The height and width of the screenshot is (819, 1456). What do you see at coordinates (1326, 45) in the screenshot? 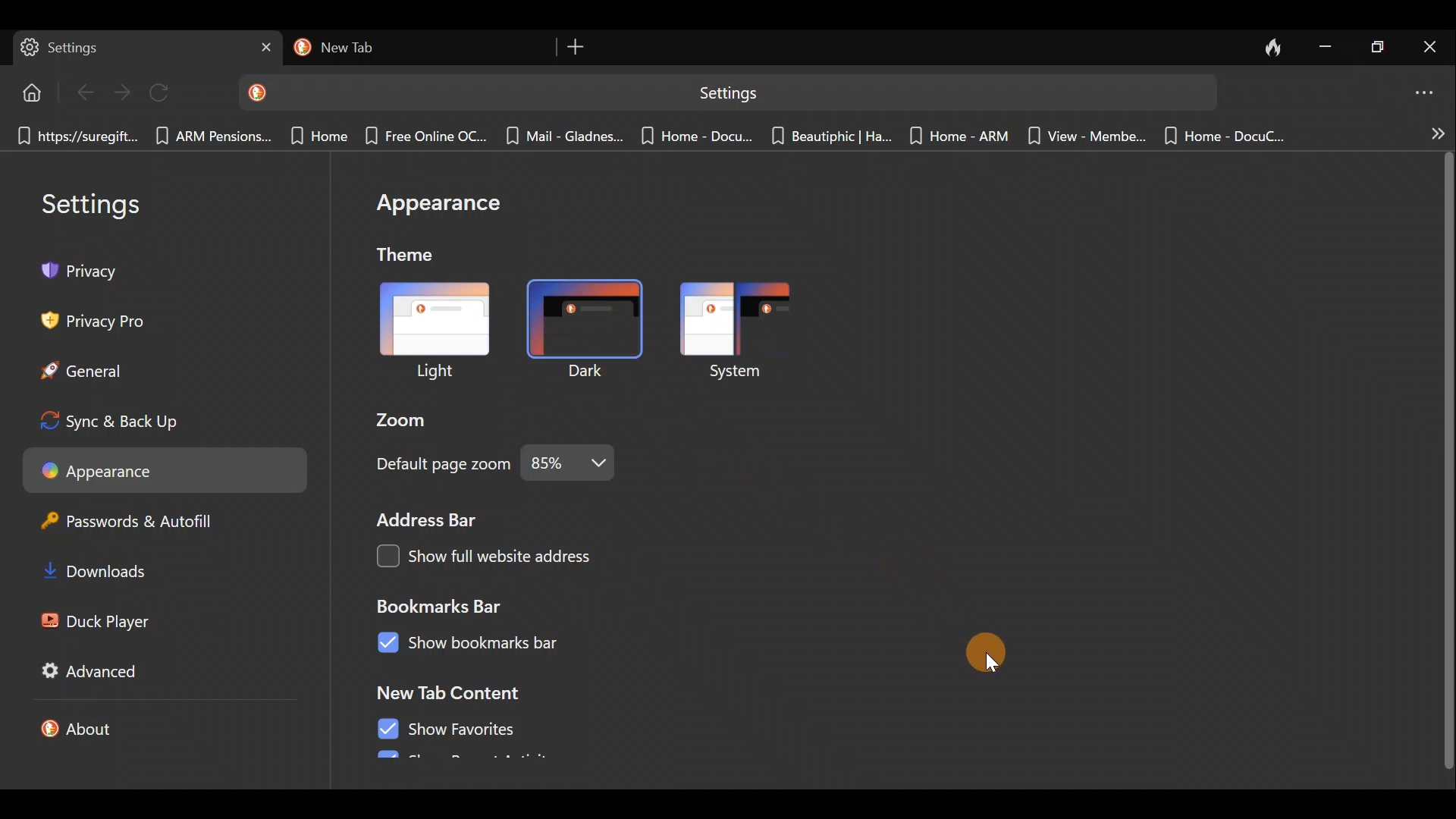
I see `minimize` at bounding box center [1326, 45].